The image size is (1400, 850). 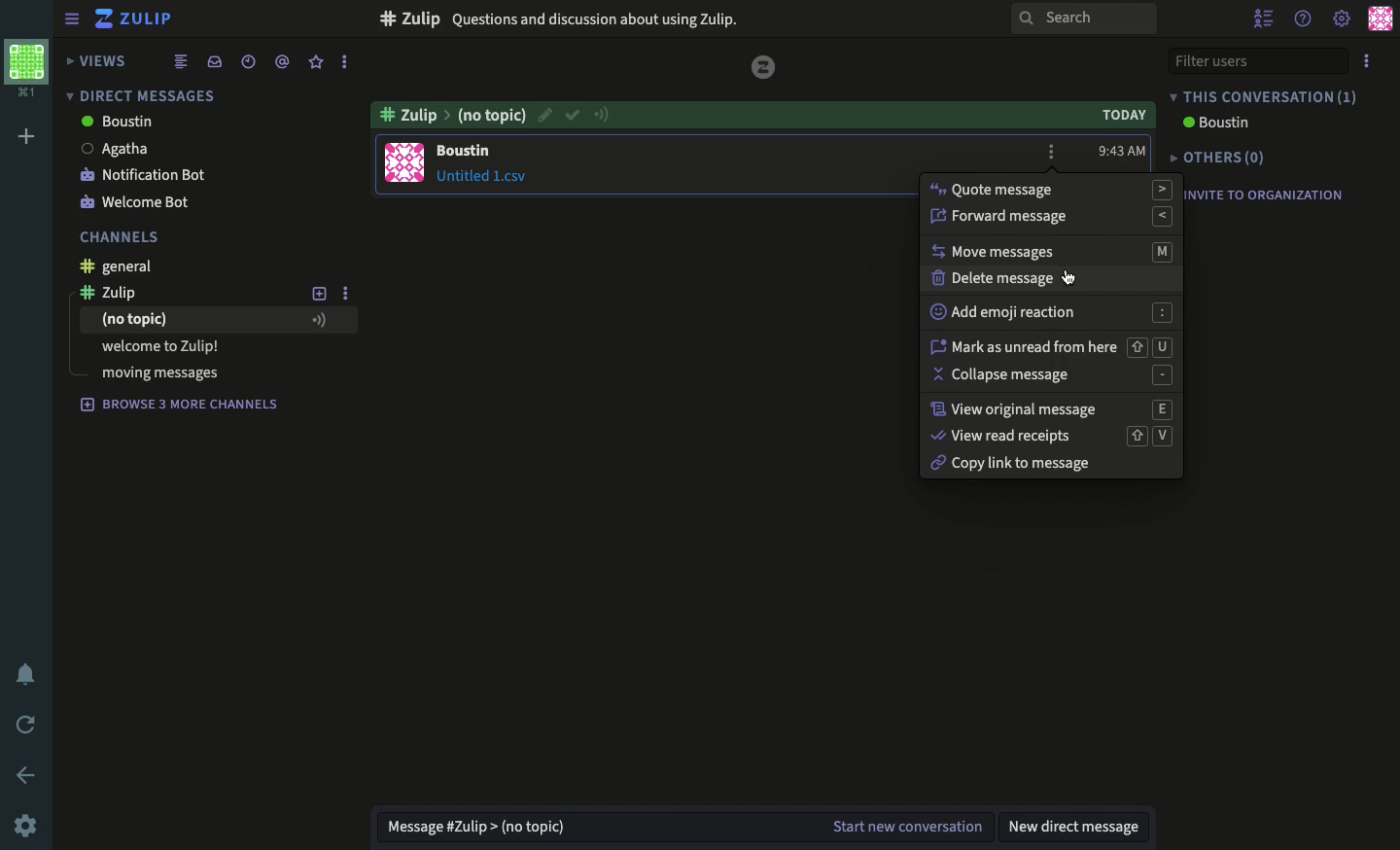 What do you see at coordinates (1302, 19) in the screenshot?
I see `help` at bounding box center [1302, 19].